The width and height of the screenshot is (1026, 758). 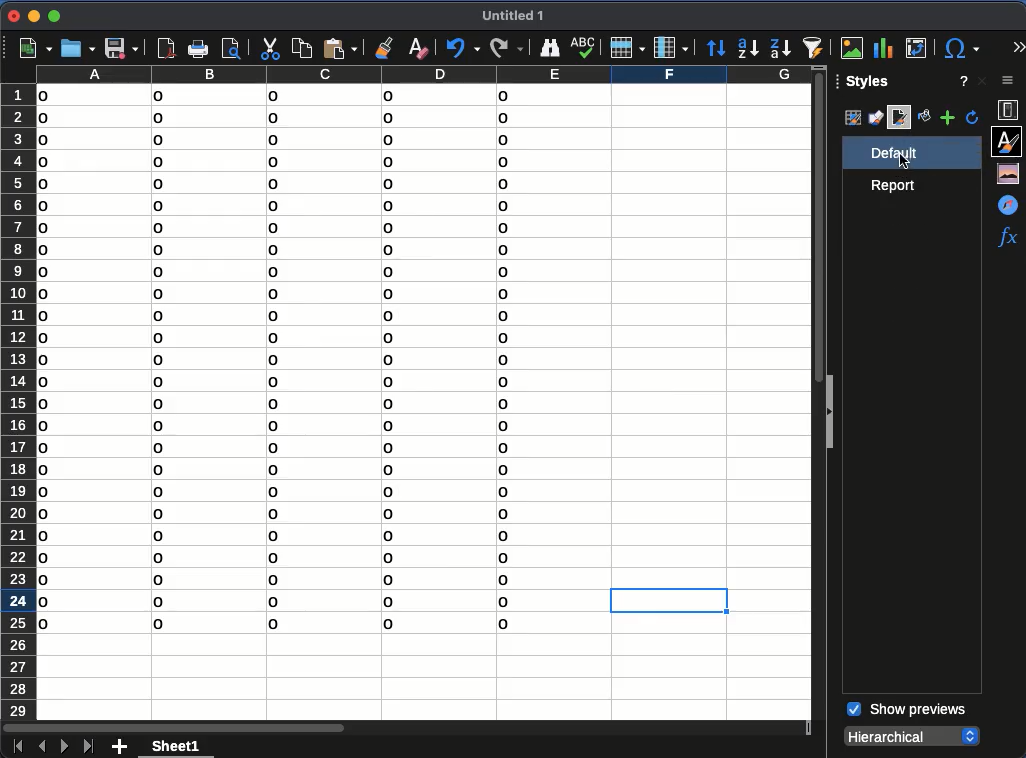 What do you see at coordinates (747, 49) in the screenshot?
I see `ascending` at bounding box center [747, 49].